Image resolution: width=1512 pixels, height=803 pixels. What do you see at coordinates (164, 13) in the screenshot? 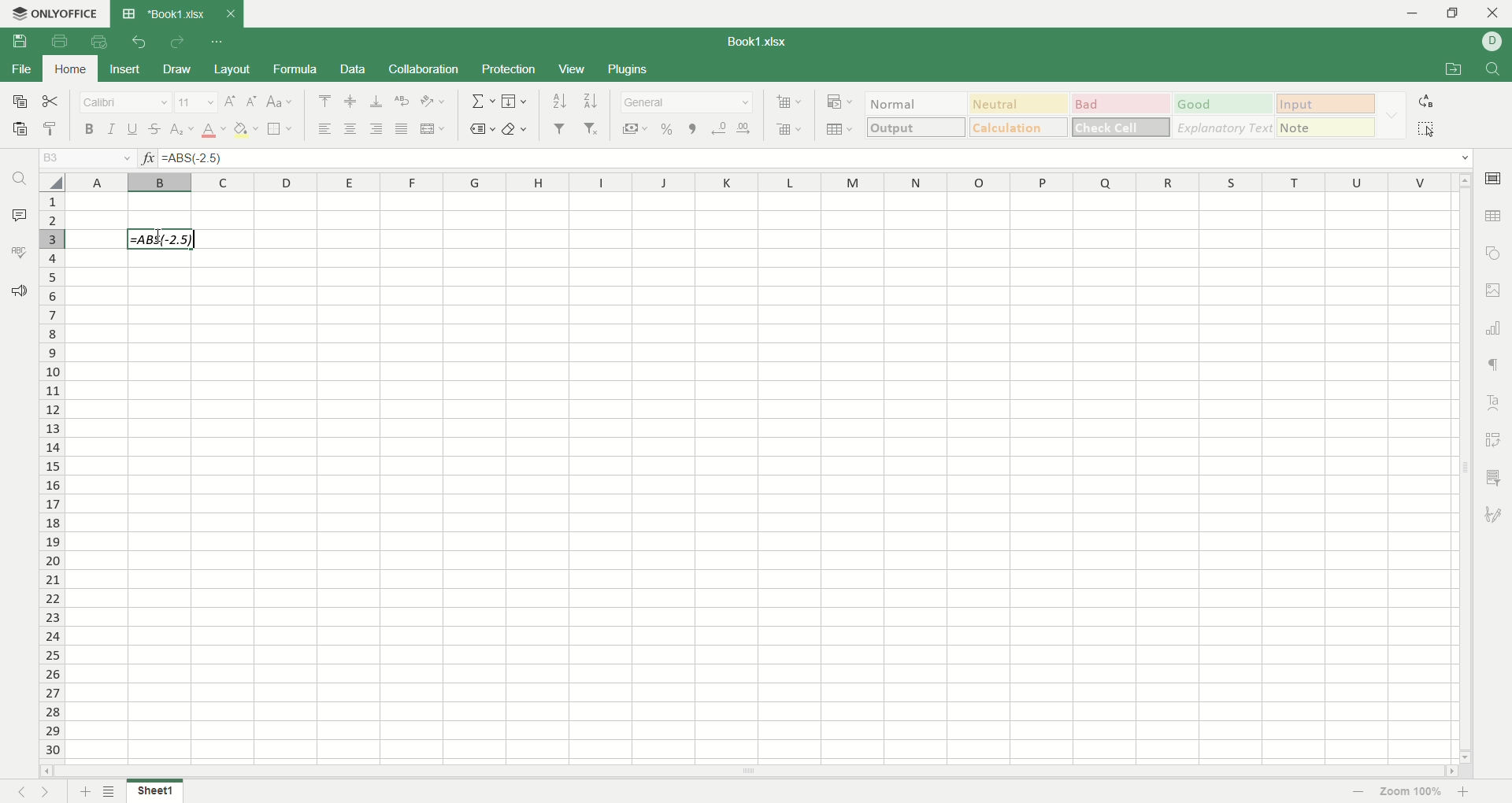
I see `sheet tab` at bounding box center [164, 13].